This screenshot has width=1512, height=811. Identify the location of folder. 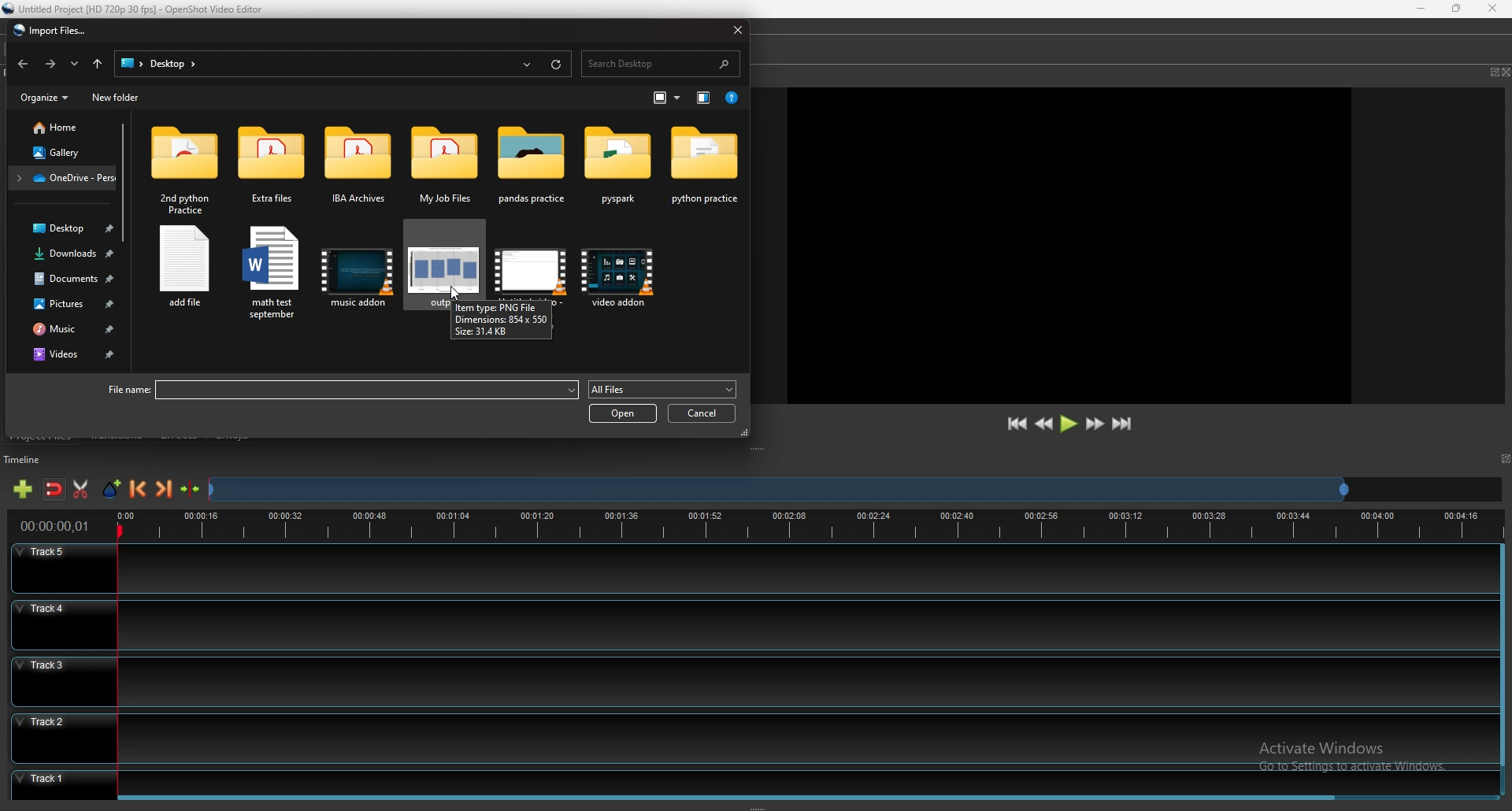
(705, 172).